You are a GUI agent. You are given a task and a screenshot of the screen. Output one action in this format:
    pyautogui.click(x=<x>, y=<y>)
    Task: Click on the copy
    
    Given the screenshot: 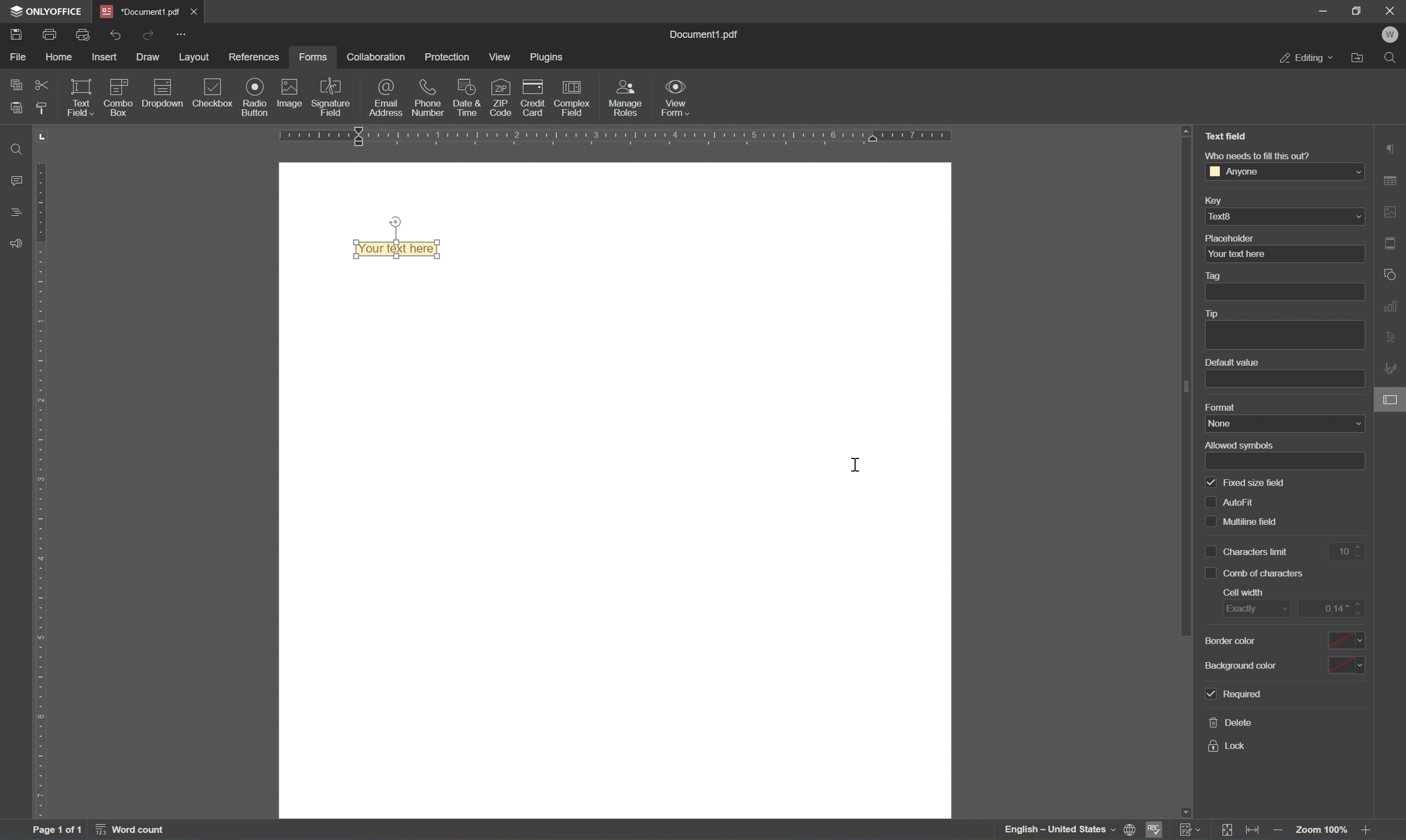 What is the action you would take?
    pyautogui.click(x=14, y=85)
    